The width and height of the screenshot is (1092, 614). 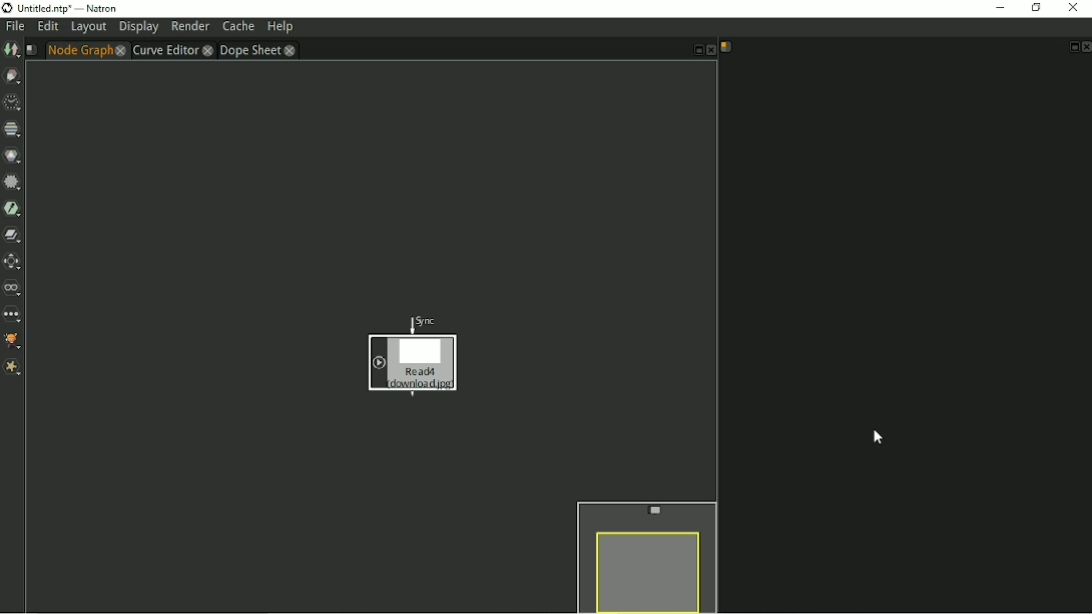 I want to click on Preview, so click(x=644, y=554).